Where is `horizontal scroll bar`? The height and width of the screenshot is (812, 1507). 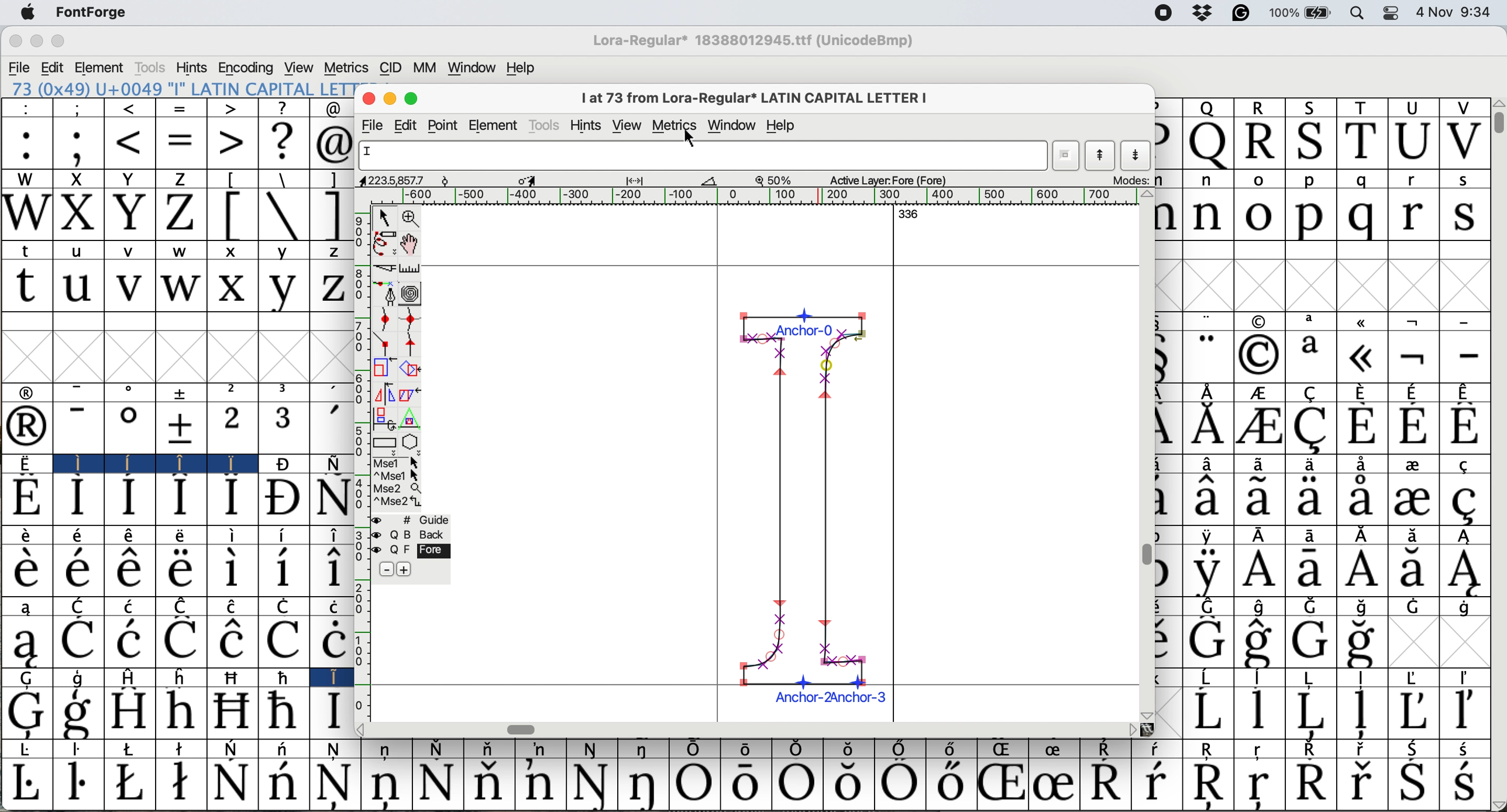
horizontal scroll bar is located at coordinates (521, 728).